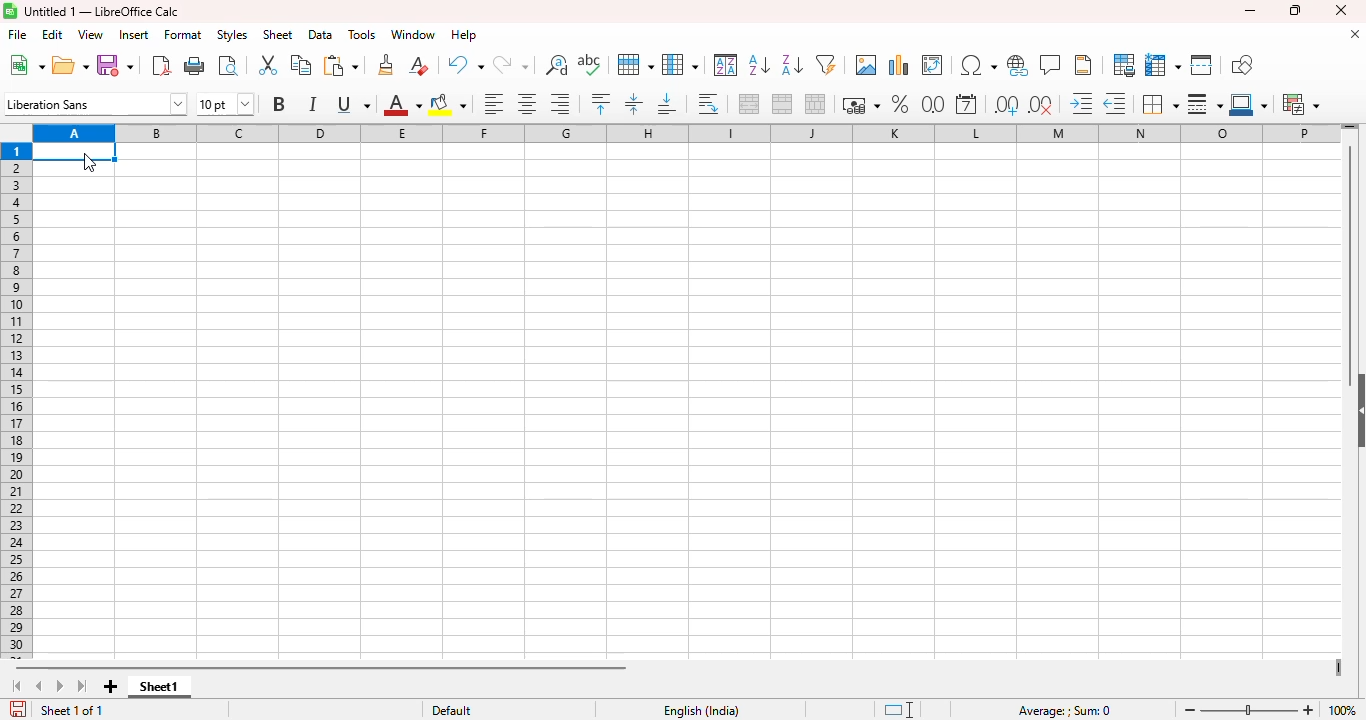 Image resolution: width=1366 pixels, height=720 pixels. I want to click on wrap text, so click(708, 104).